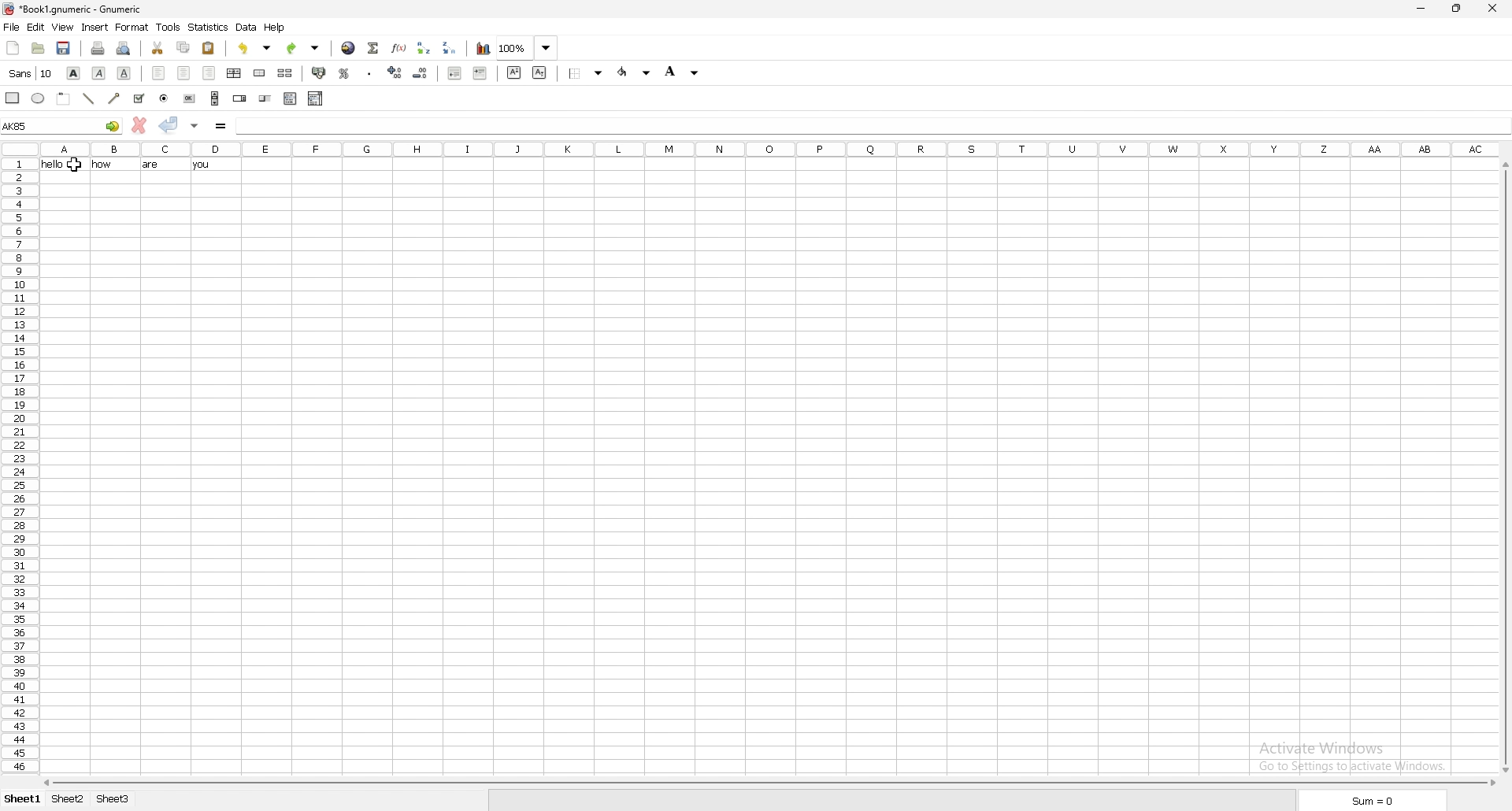 Image resolution: width=1512 pixels, height=811 pixels. I want to click on statistics, so click(209, 27).